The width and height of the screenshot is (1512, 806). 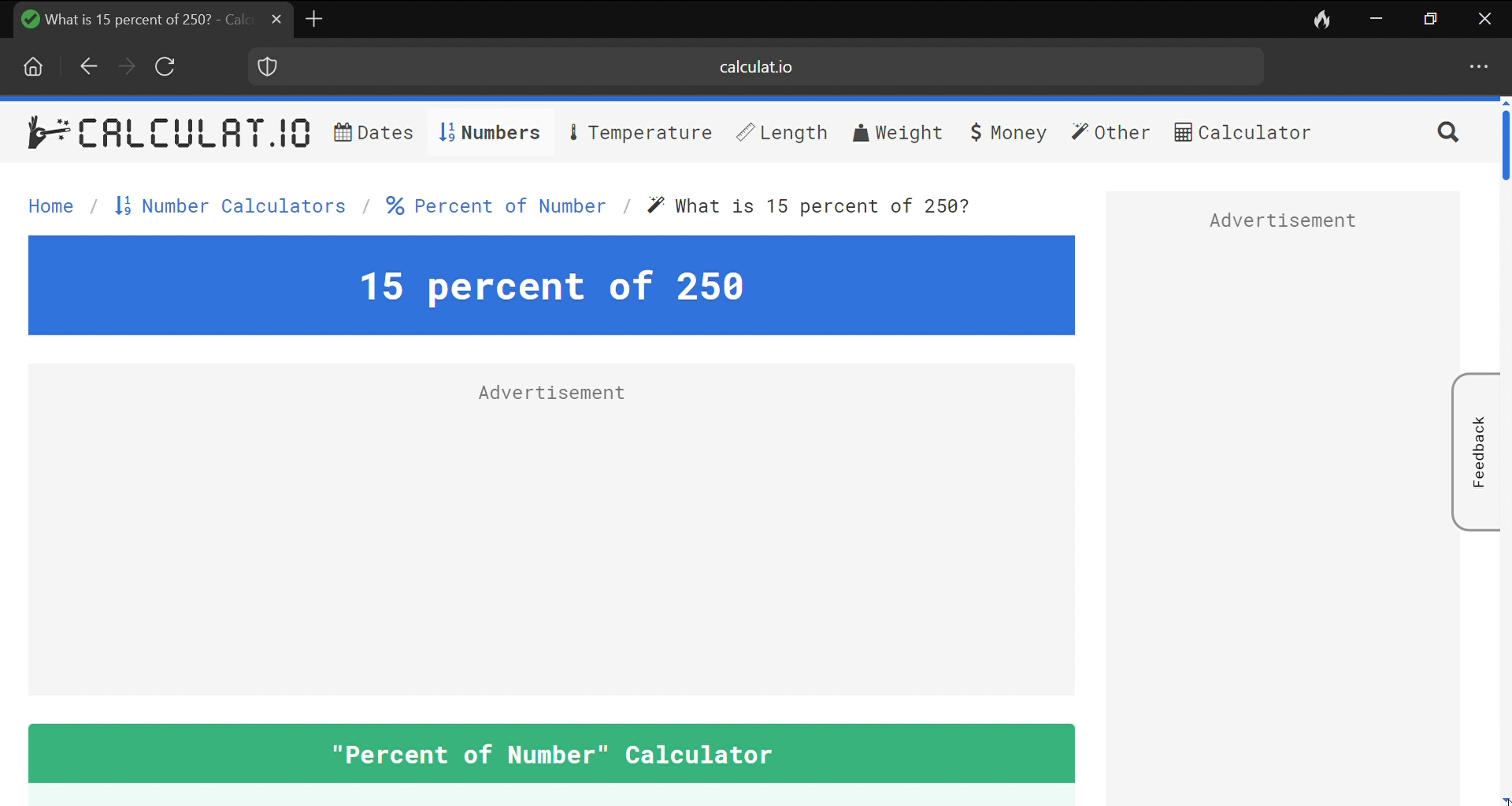 I want to click on CALCULAT.IC, so click(x=193, y=134).